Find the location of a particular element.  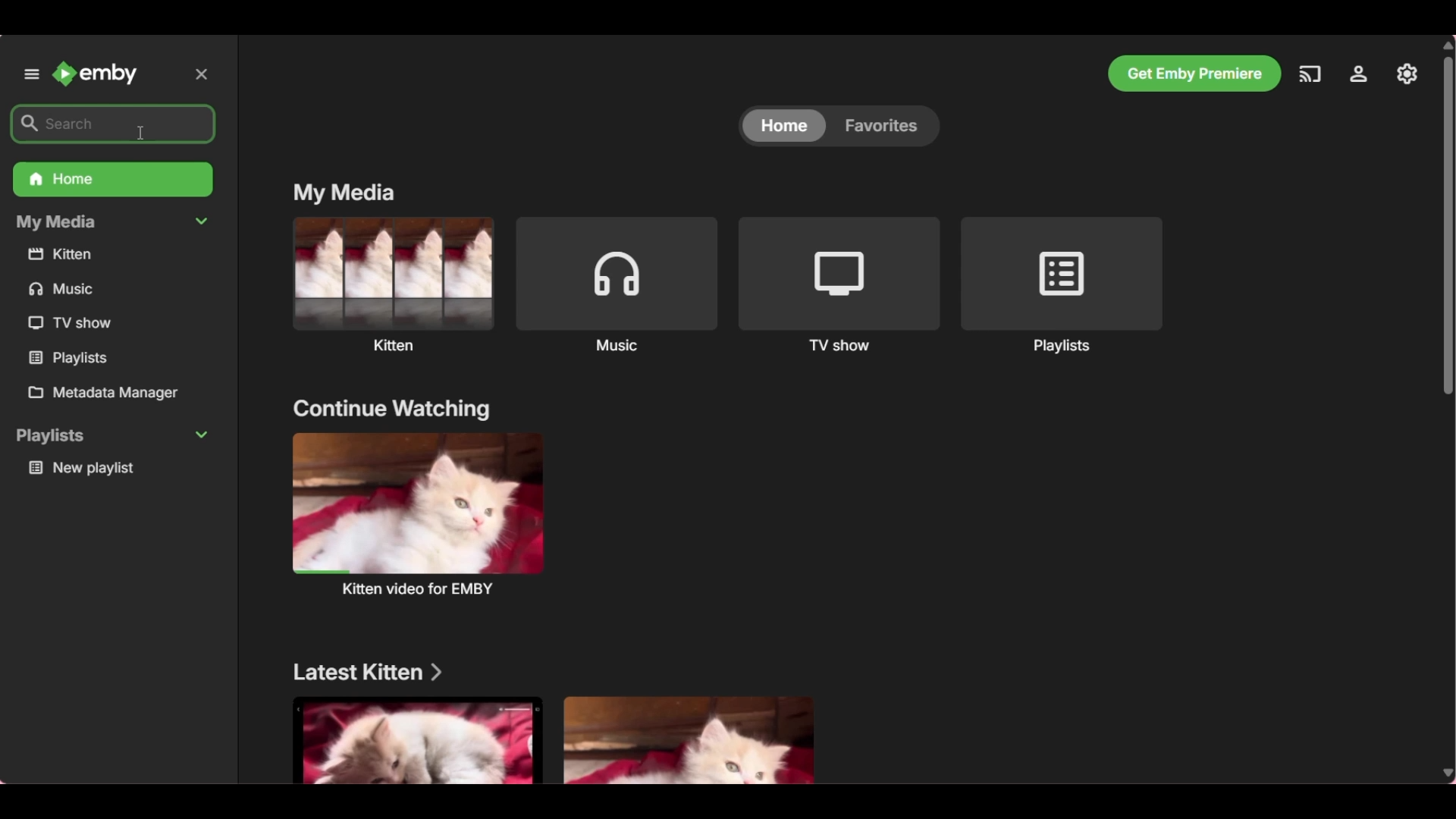

My media is located at coordinates (344, 192).